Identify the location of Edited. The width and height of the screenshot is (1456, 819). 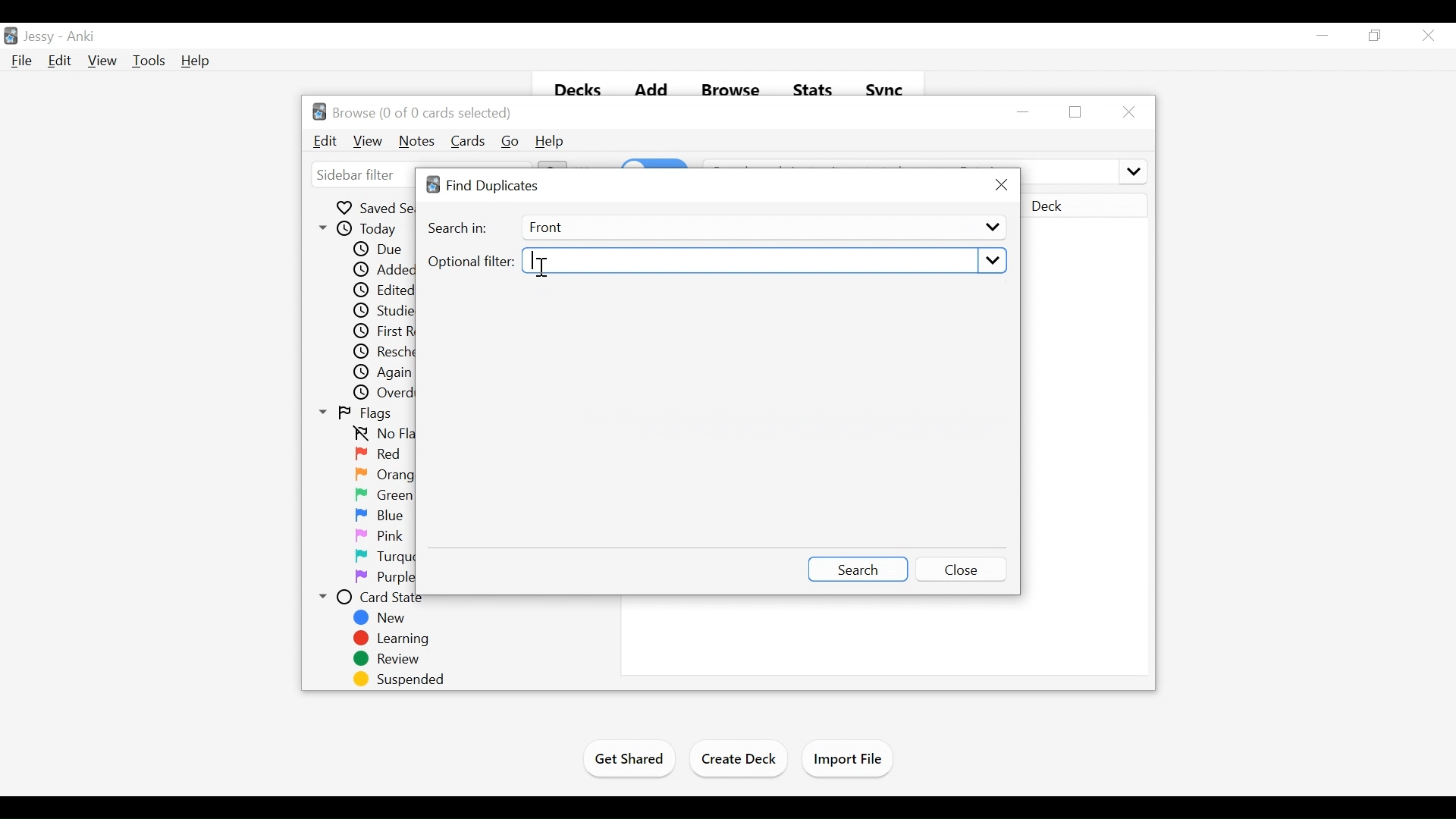
(384, 291).